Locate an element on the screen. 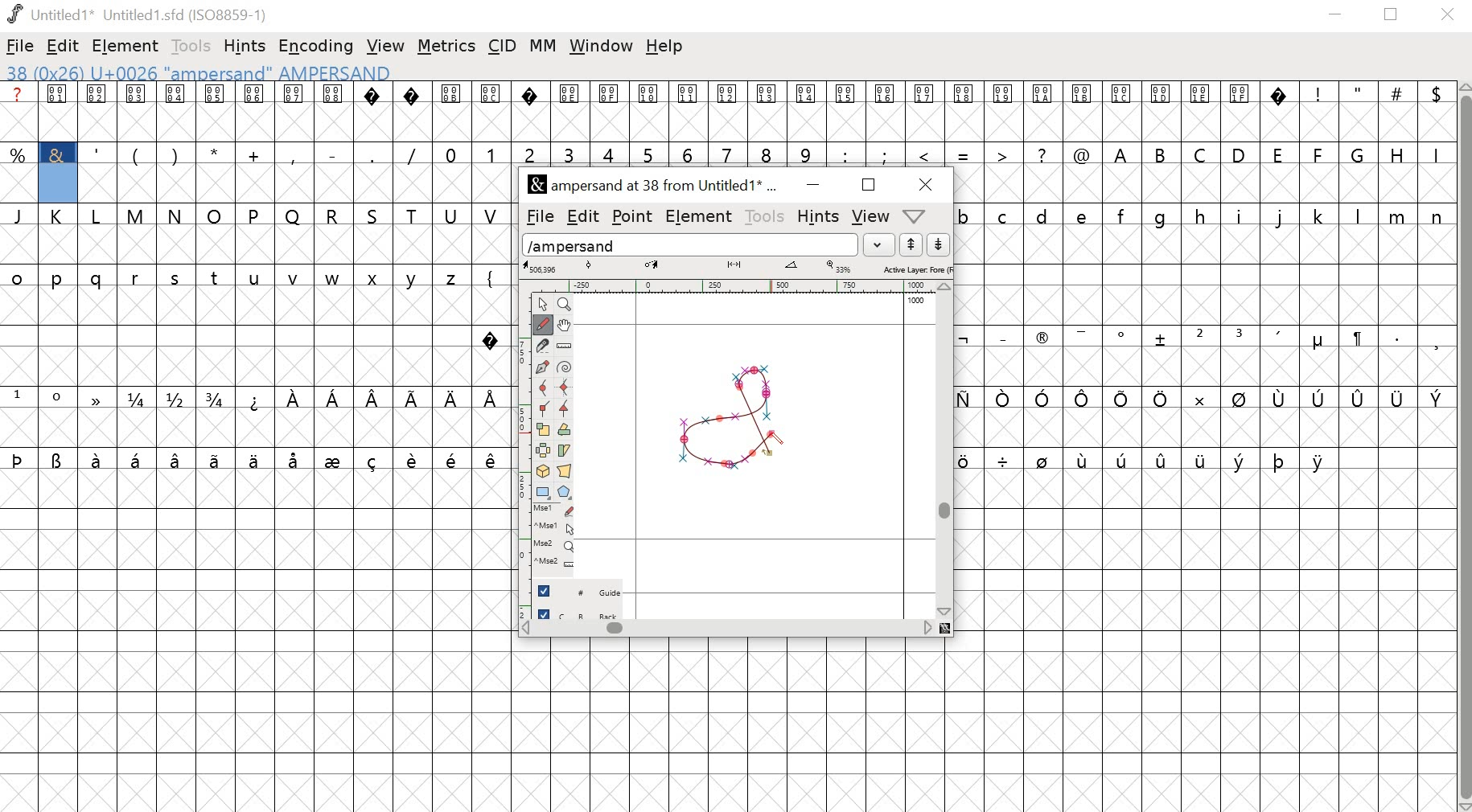 This screenshot has height=812, width=1472. o is located at coordinates (18, 276).